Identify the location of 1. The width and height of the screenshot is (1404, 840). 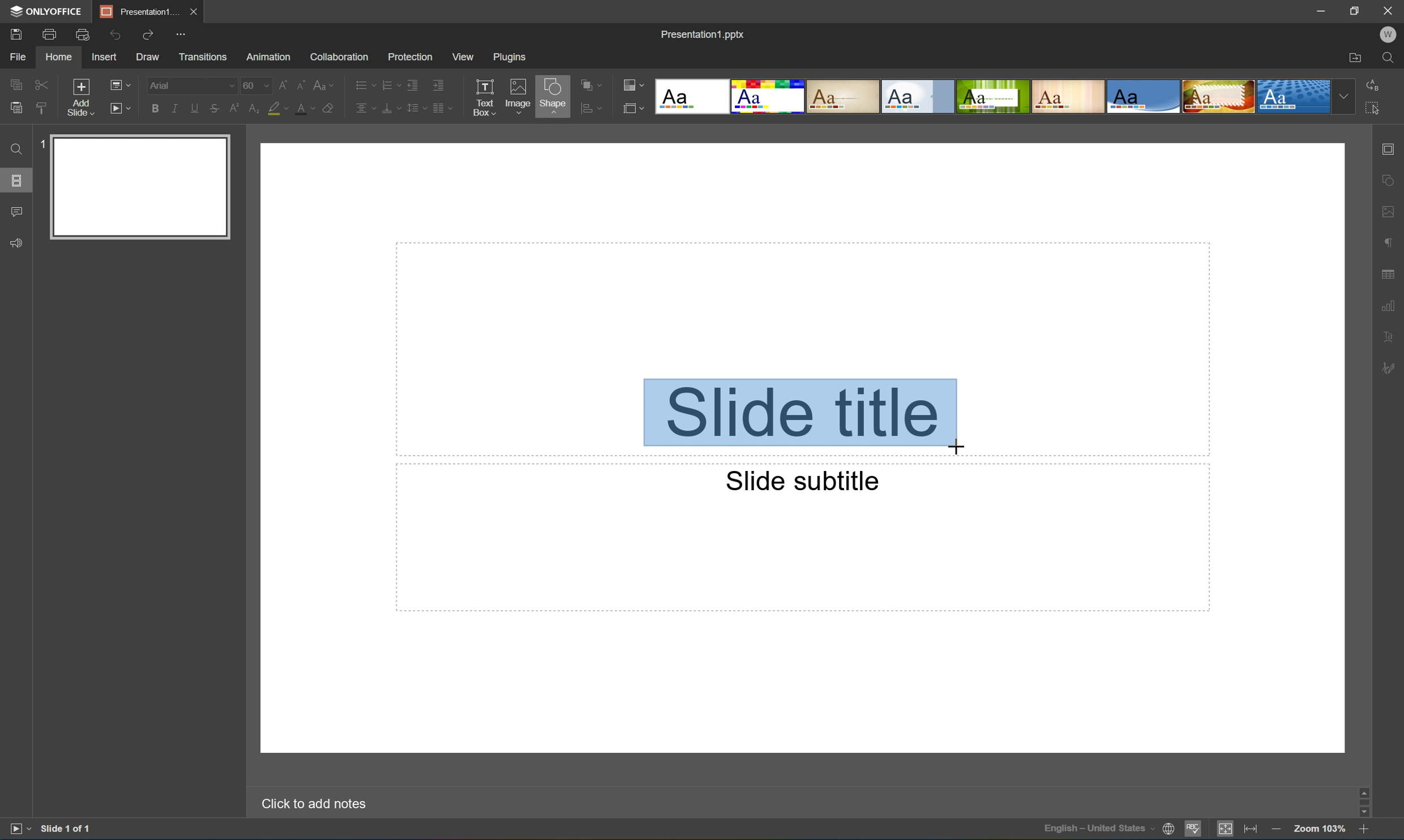
(38, 146).